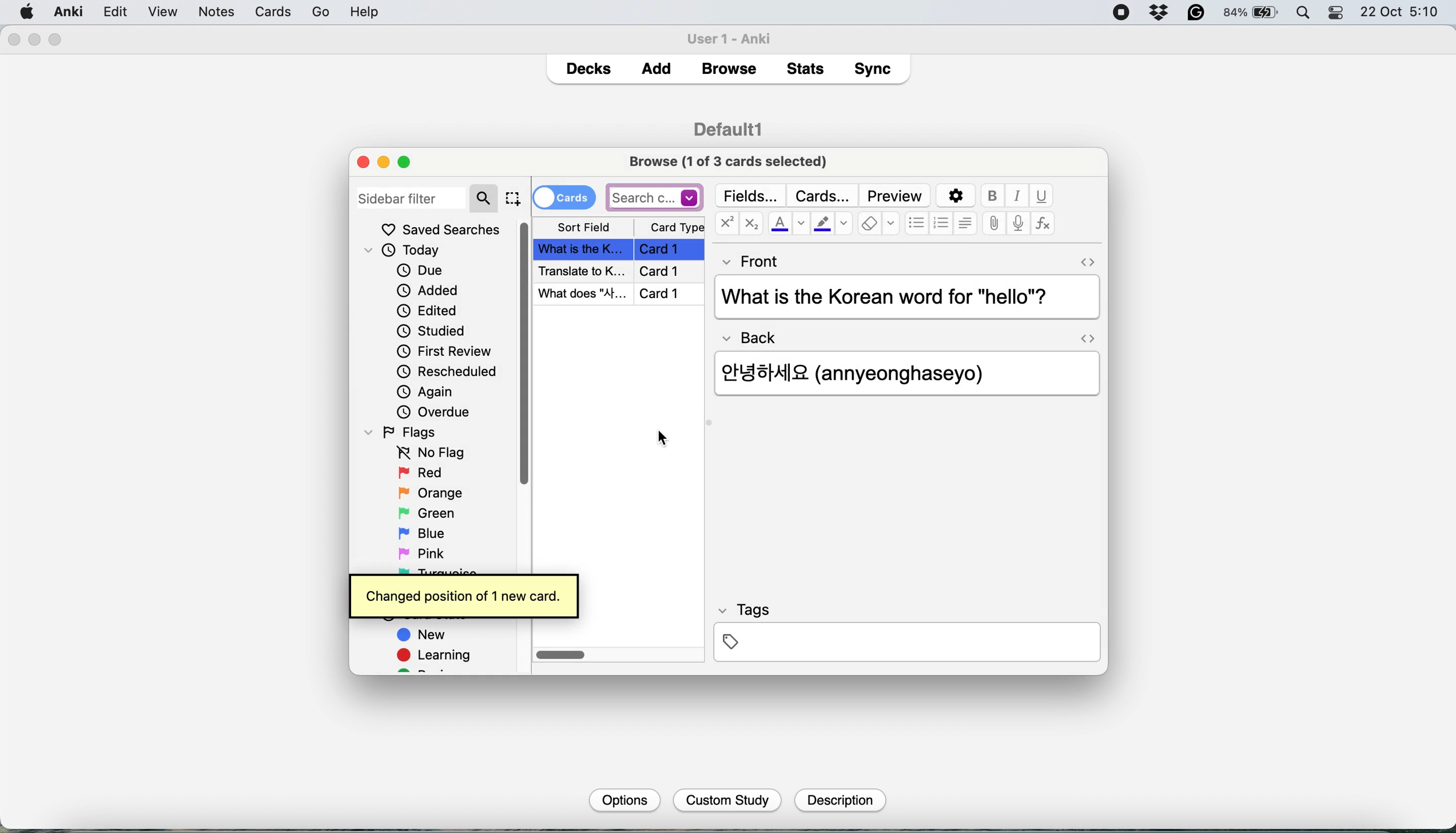 This screenshot has height=833, width=1456. Describe the element at coordinates (749, 225) in the screenshot. I see `subscript` at that location.